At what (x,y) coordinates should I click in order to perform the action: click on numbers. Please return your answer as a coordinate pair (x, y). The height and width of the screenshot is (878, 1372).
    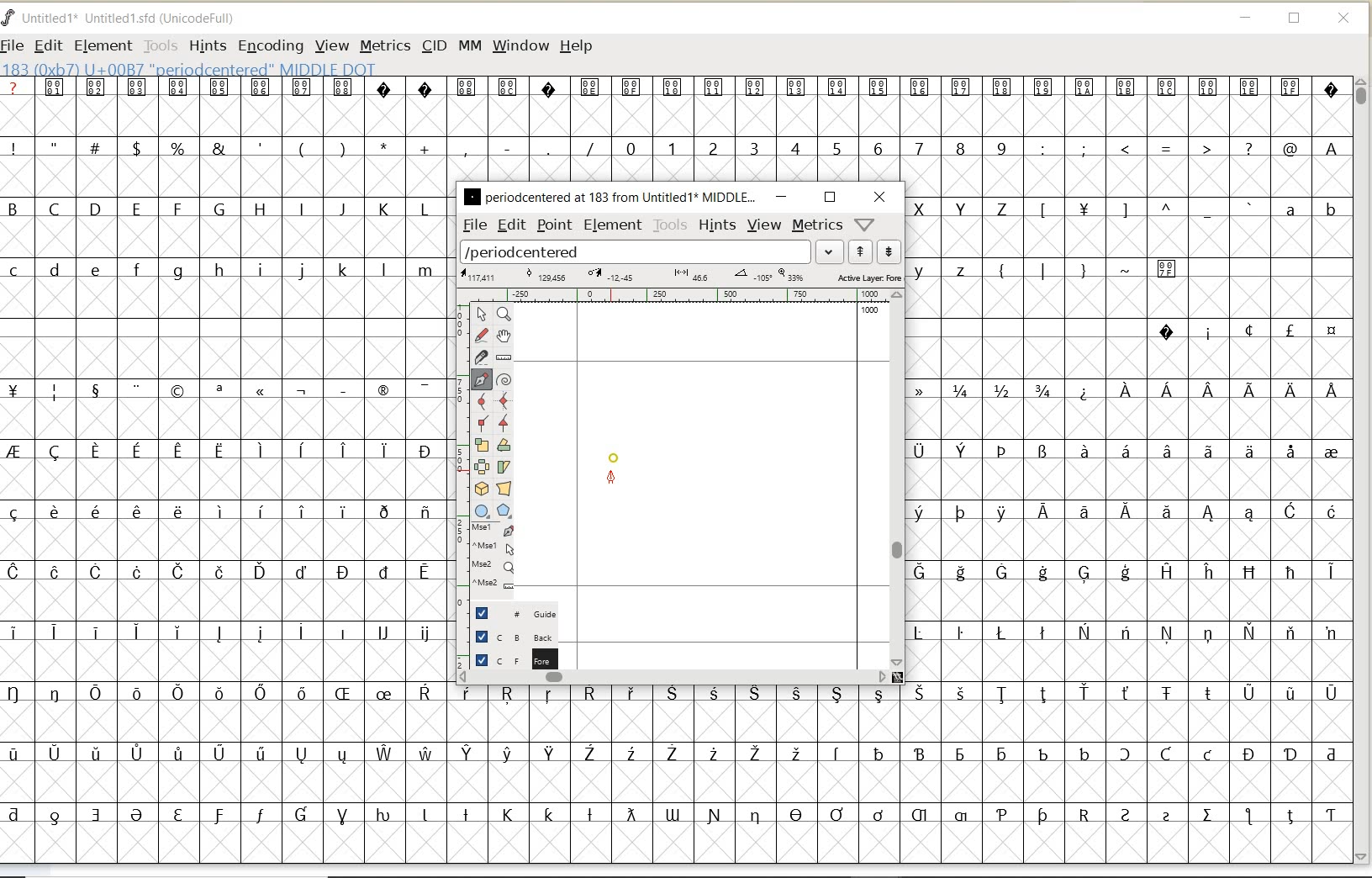
    Looking at the image, I should click on (812, 147).